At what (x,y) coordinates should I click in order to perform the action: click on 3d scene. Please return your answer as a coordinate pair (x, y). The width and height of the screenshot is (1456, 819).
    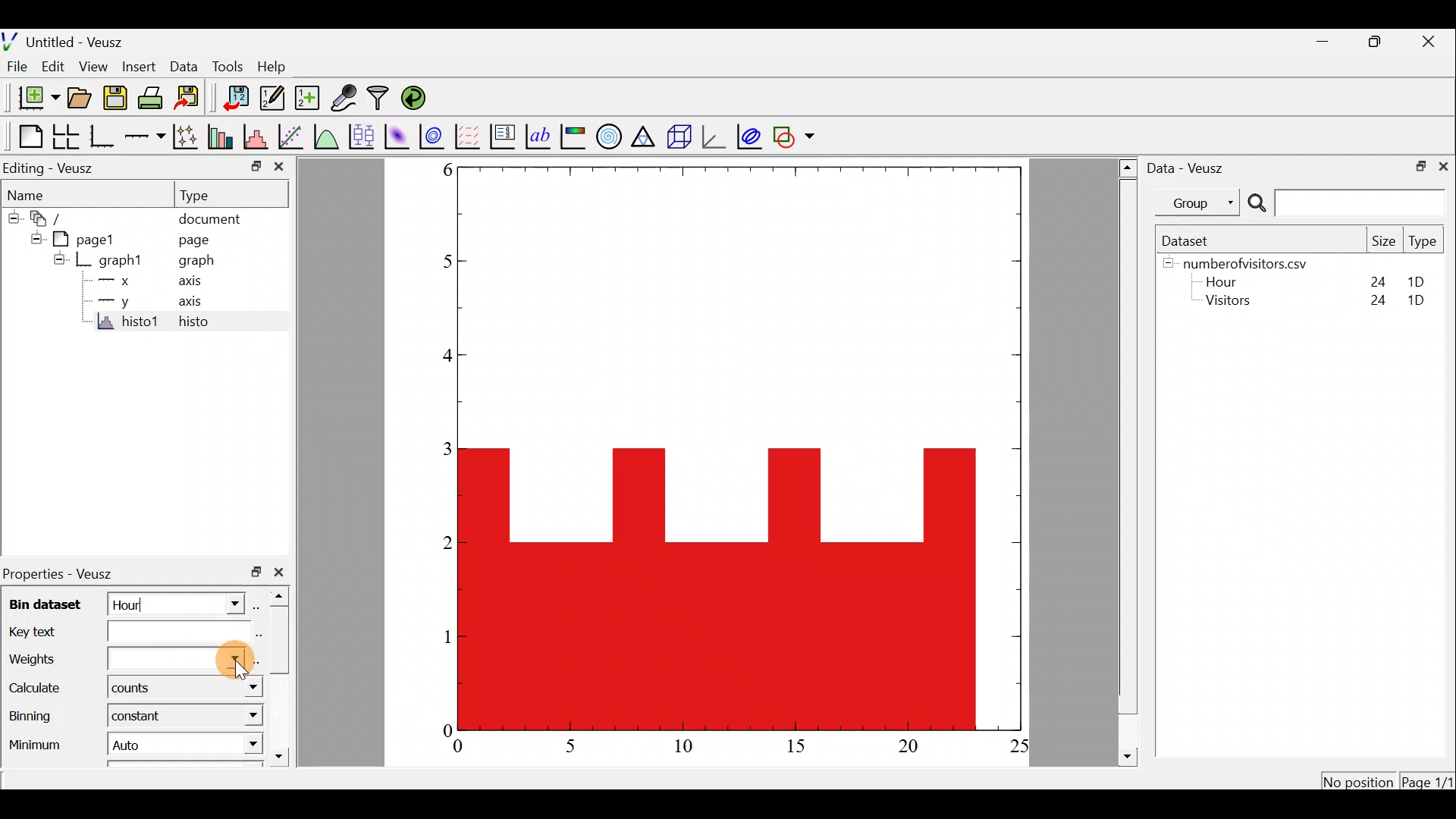
    Looking at the image, I should click on (677, 140).